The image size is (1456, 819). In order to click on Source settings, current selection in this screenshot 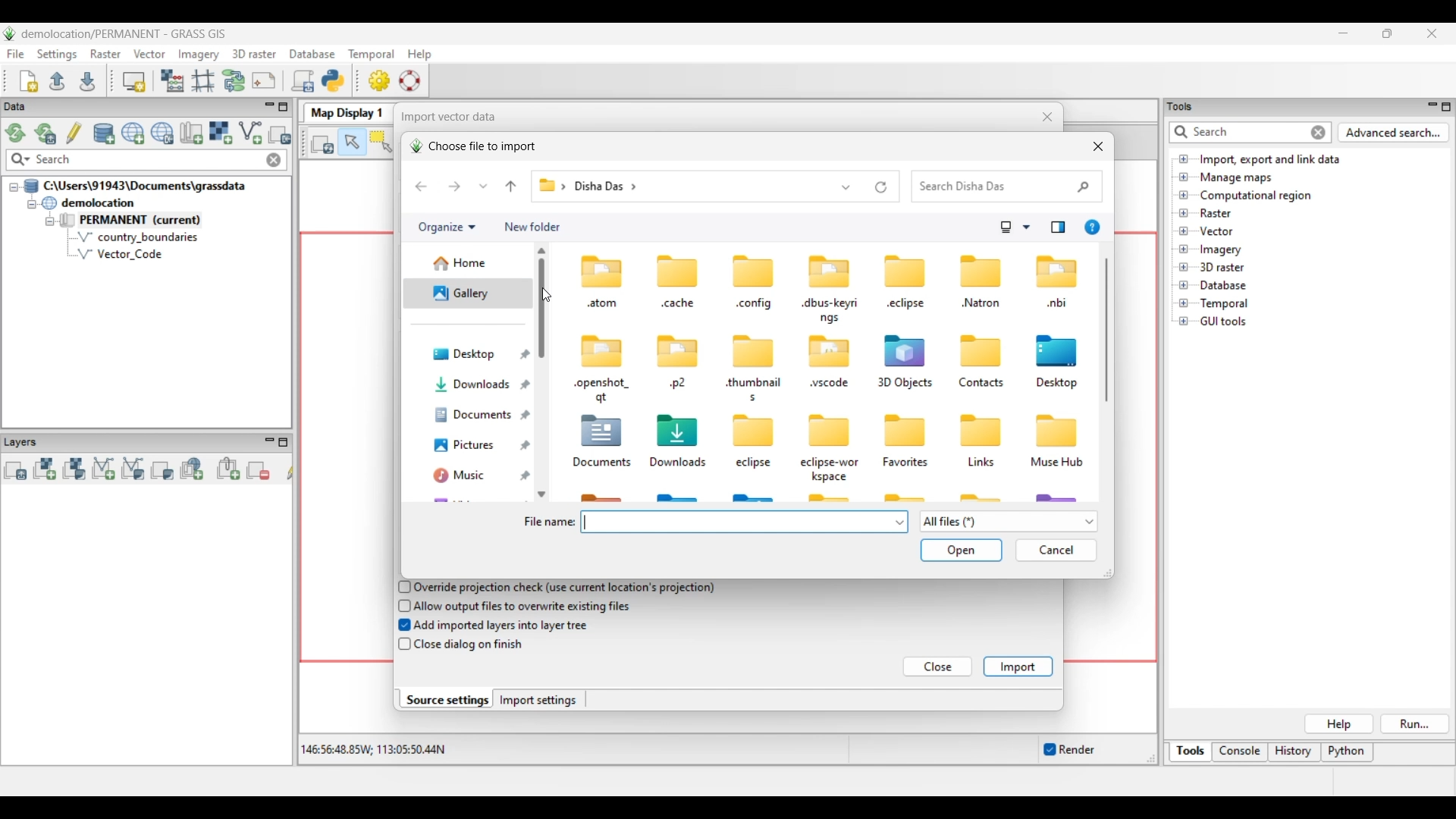, I will do `click(446, 699)`.